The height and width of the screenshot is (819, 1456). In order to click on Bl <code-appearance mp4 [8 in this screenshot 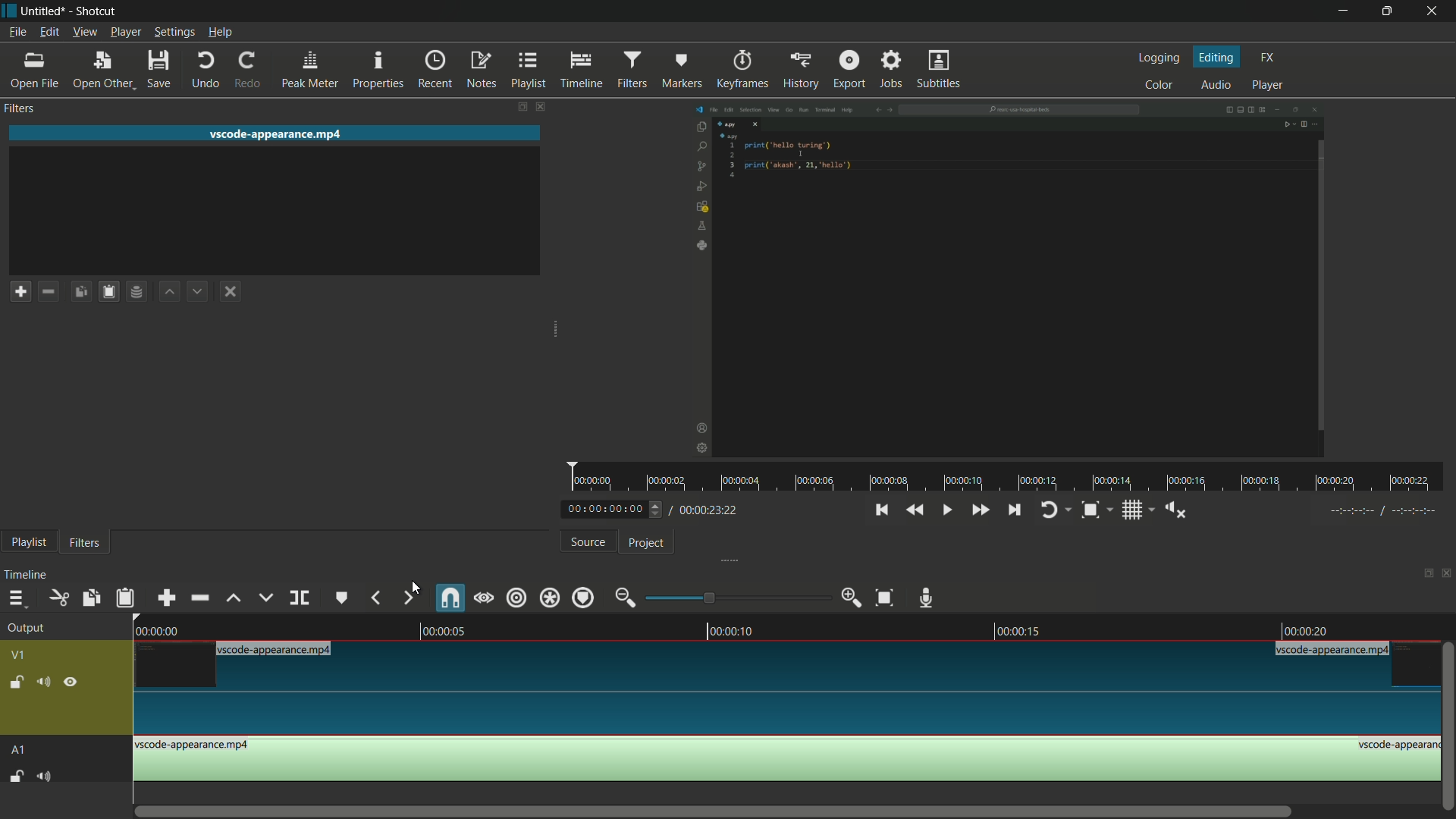, I will do `click(278, 650)`.